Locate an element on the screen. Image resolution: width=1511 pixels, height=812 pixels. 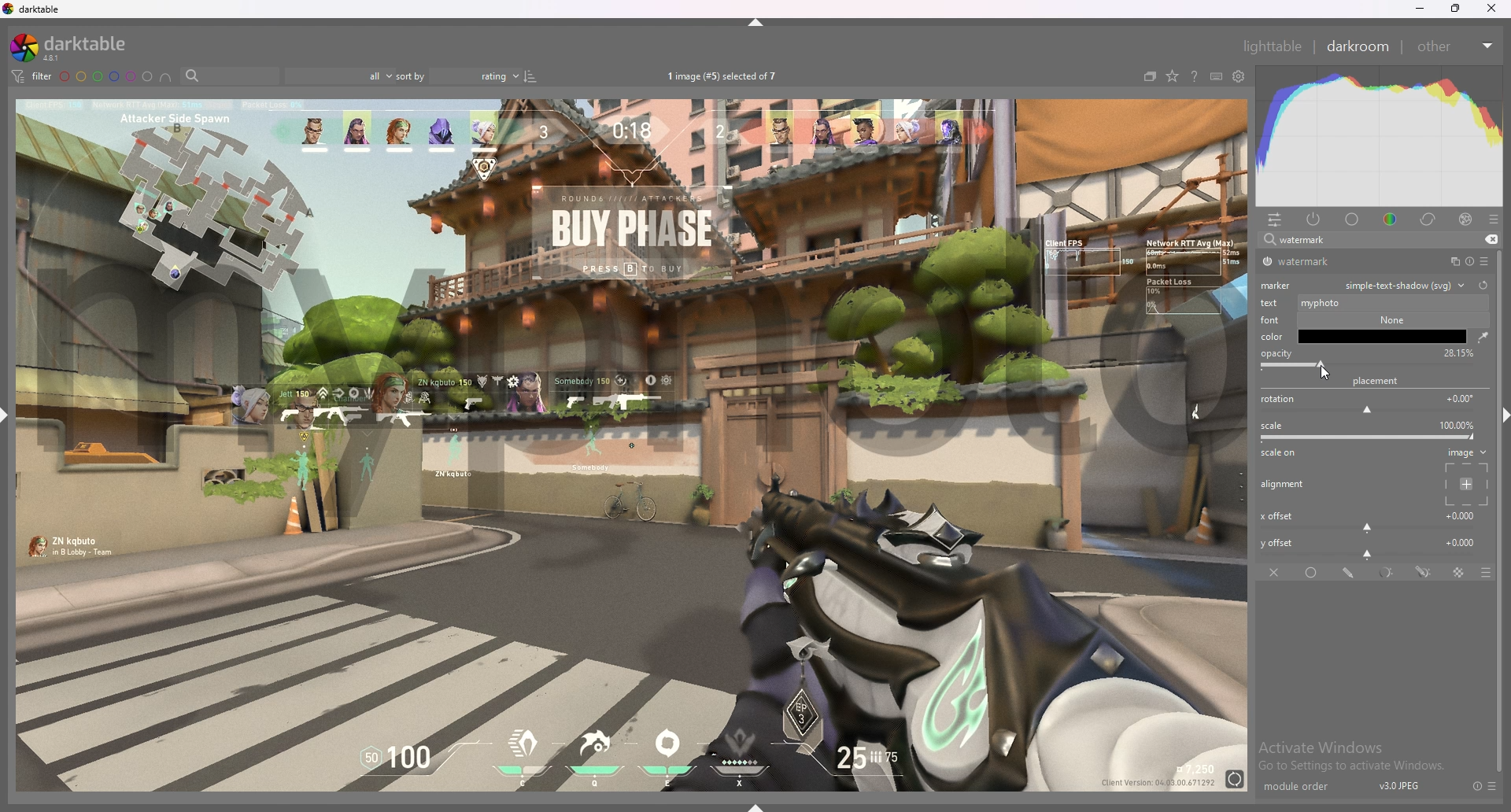
photo is located at coordinates (630, 661).